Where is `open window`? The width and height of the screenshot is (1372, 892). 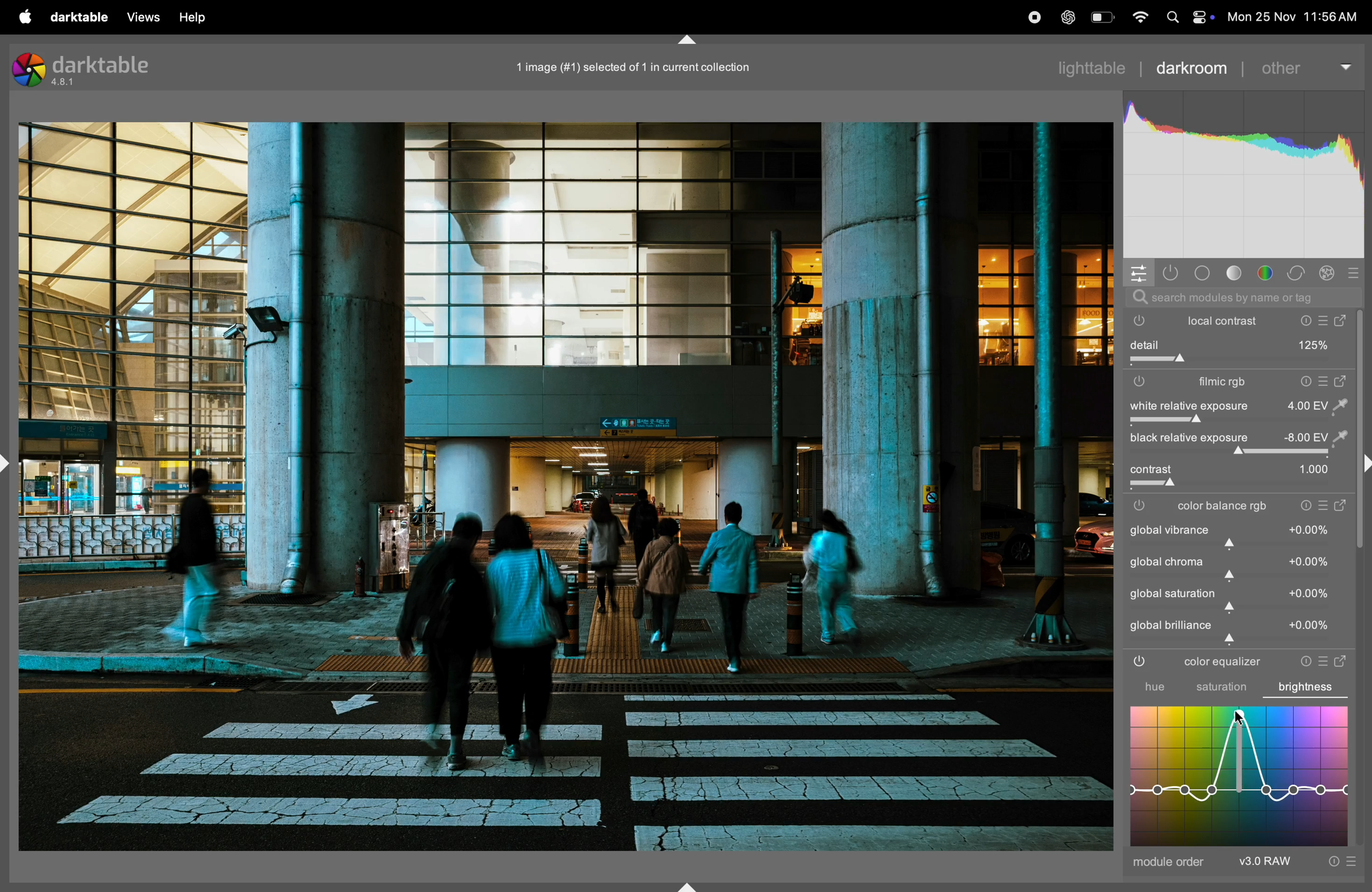 open window is located at coordinates (1342, 507).